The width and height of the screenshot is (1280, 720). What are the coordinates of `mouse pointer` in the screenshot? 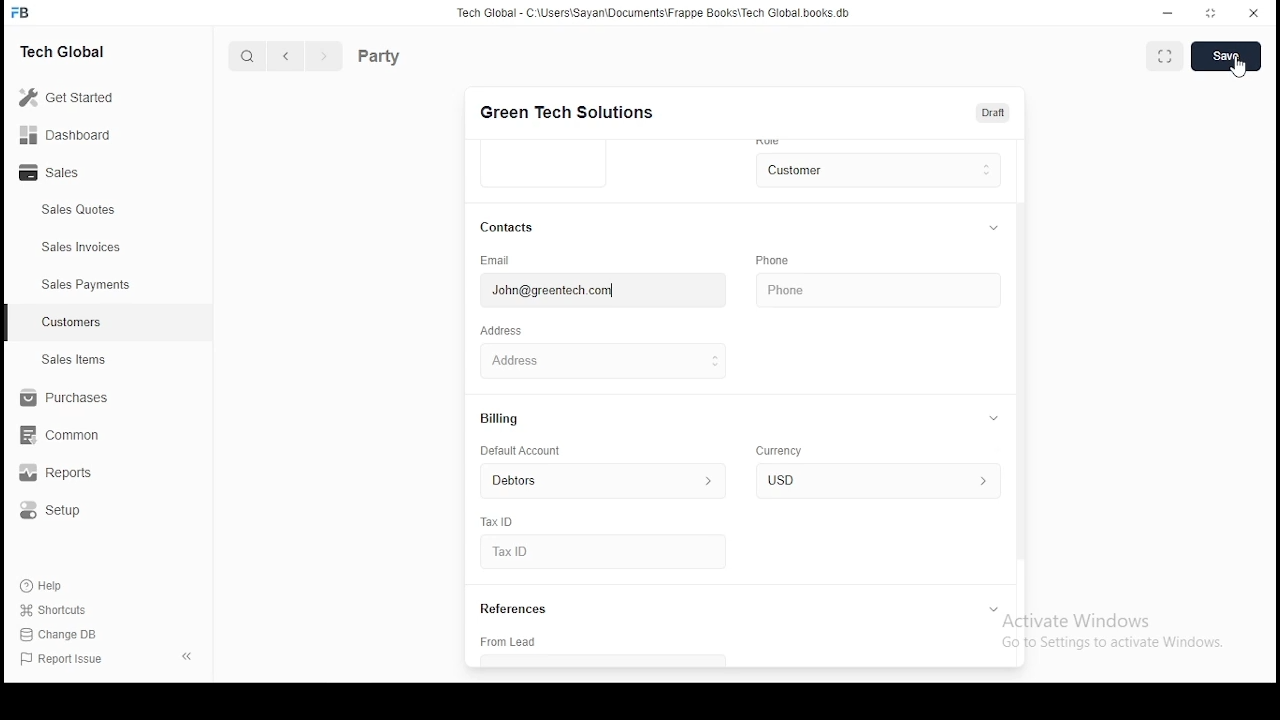 It's located at (1237, 68).